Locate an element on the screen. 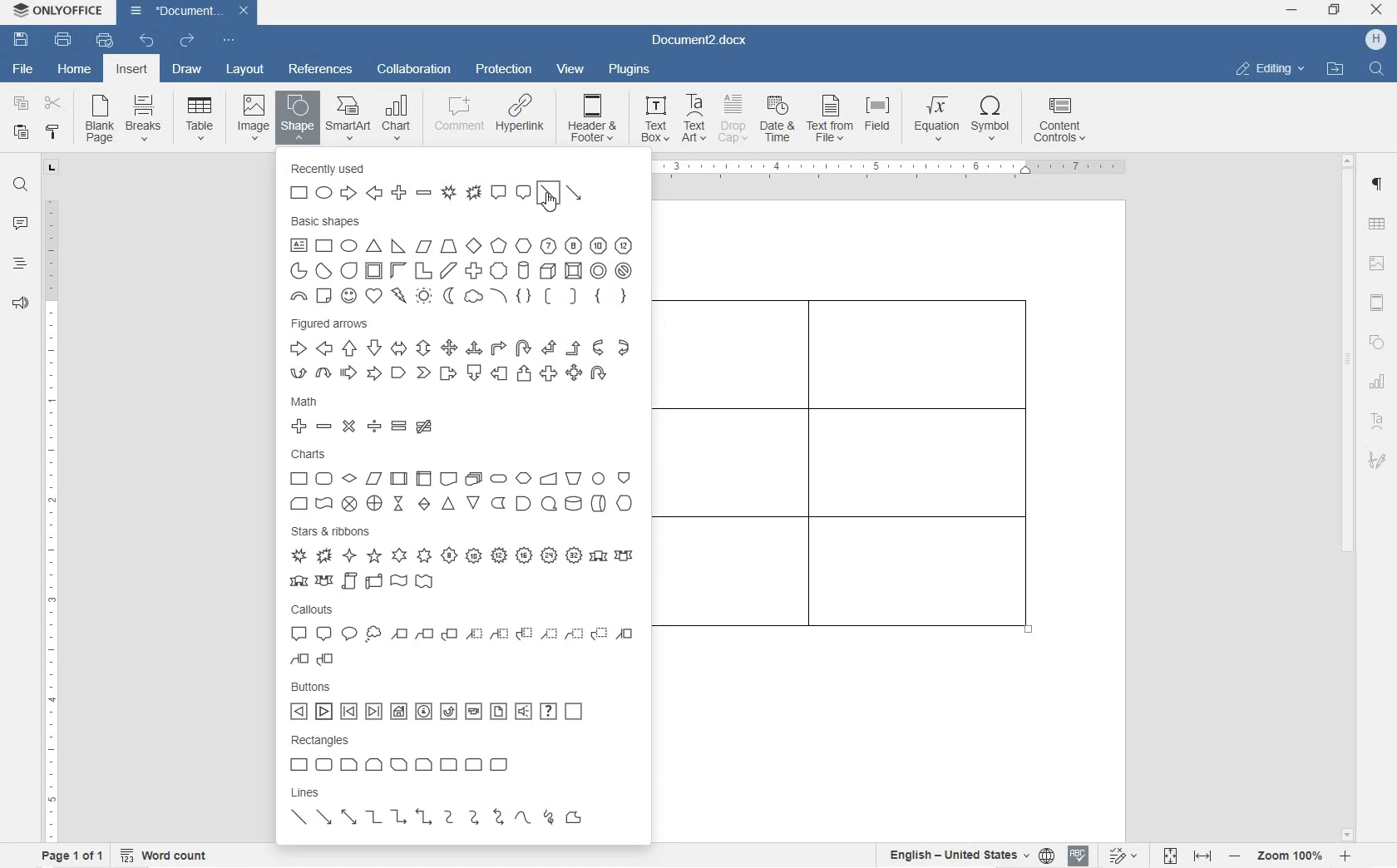 The image size is (1397, 868). protection is located at coordinates (506, 70).